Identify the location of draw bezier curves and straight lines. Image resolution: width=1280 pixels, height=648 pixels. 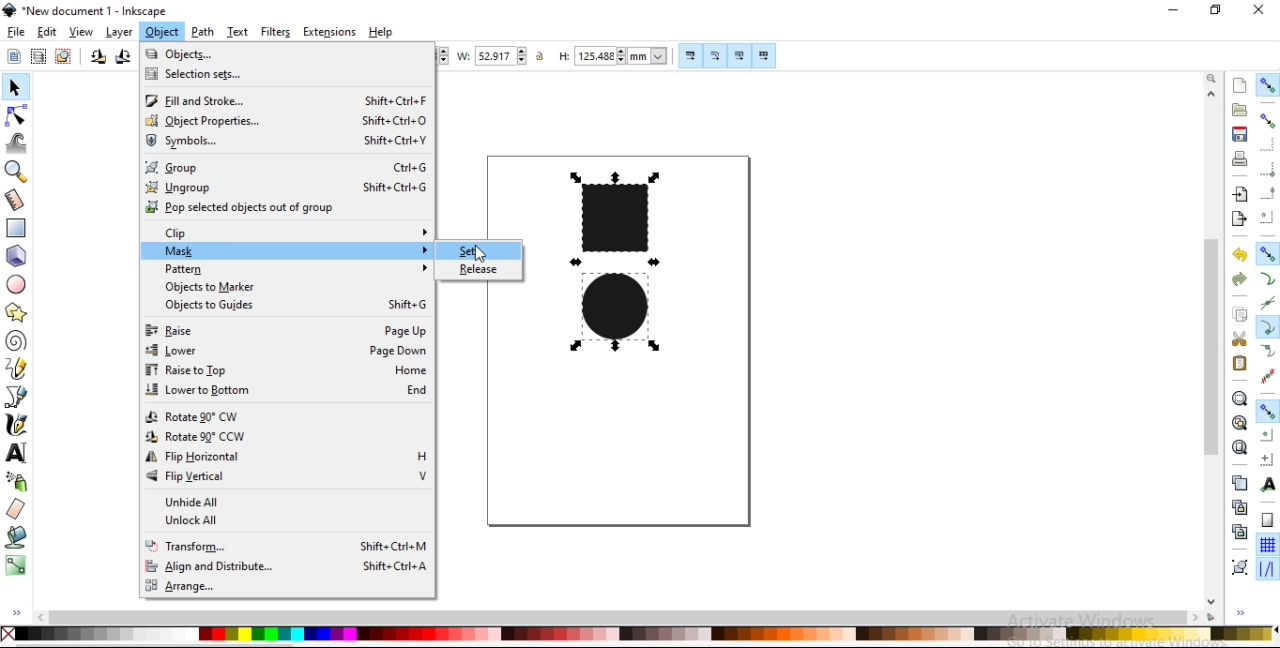
(17, 398).